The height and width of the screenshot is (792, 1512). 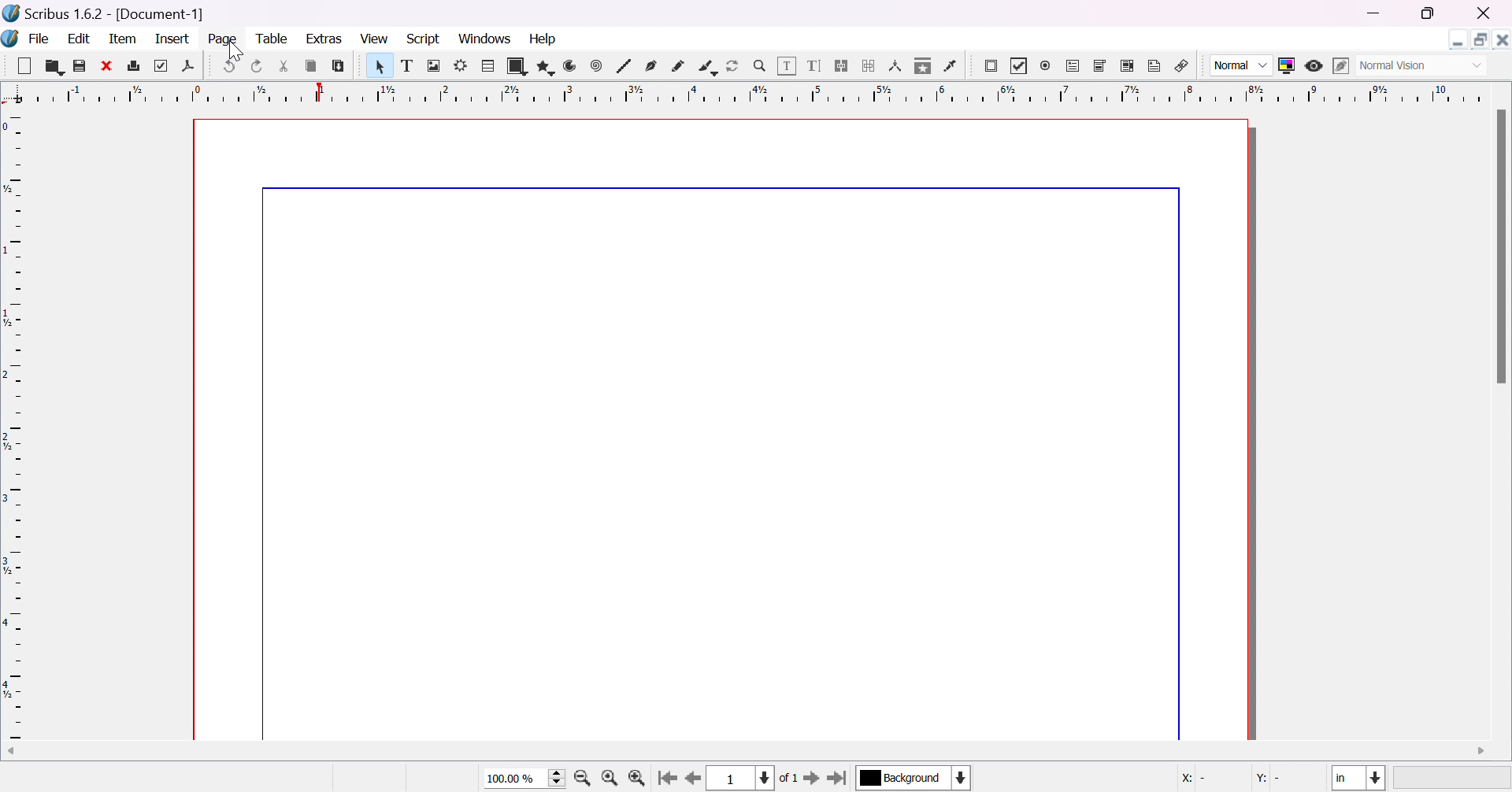 What do you see at coordinates (407, 67) in the screenshot?
I see `text frame` at bounding box center [407, 67].